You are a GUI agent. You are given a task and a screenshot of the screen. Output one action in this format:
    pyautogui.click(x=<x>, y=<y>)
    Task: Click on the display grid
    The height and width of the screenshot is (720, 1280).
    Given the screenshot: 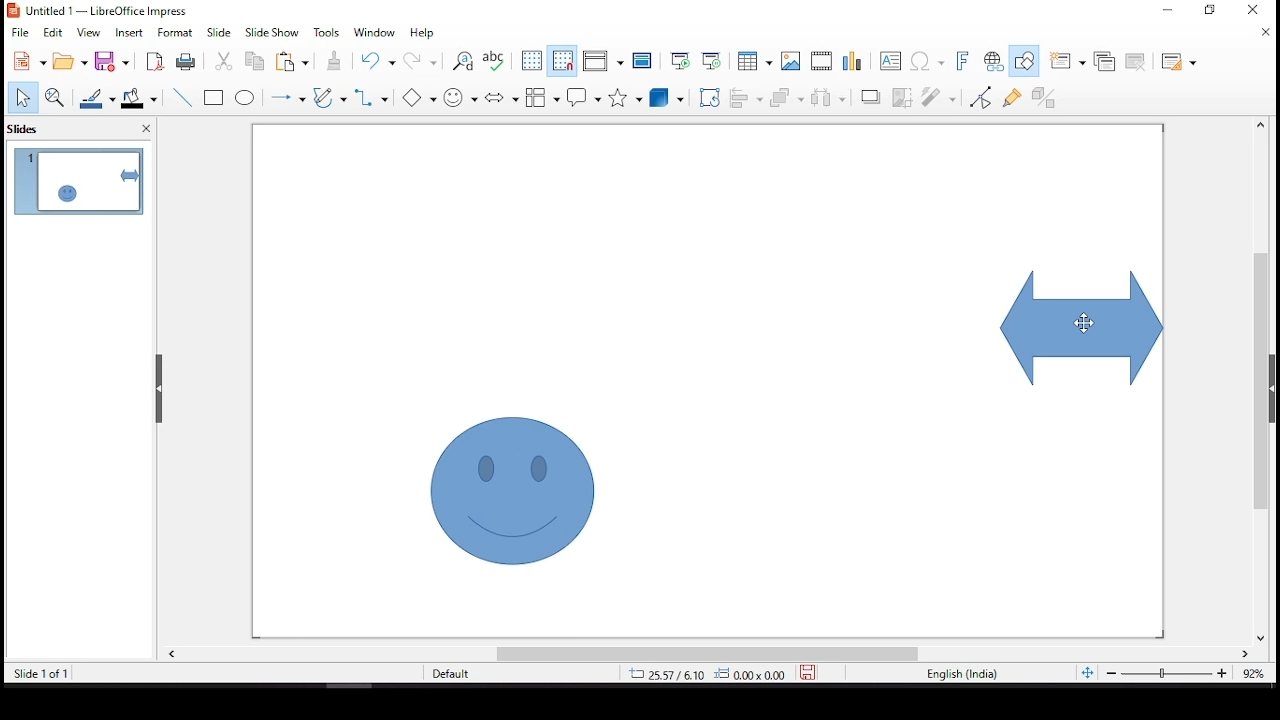 What is the action you would take?
    pyautogui.click(x=531, y=59)
    